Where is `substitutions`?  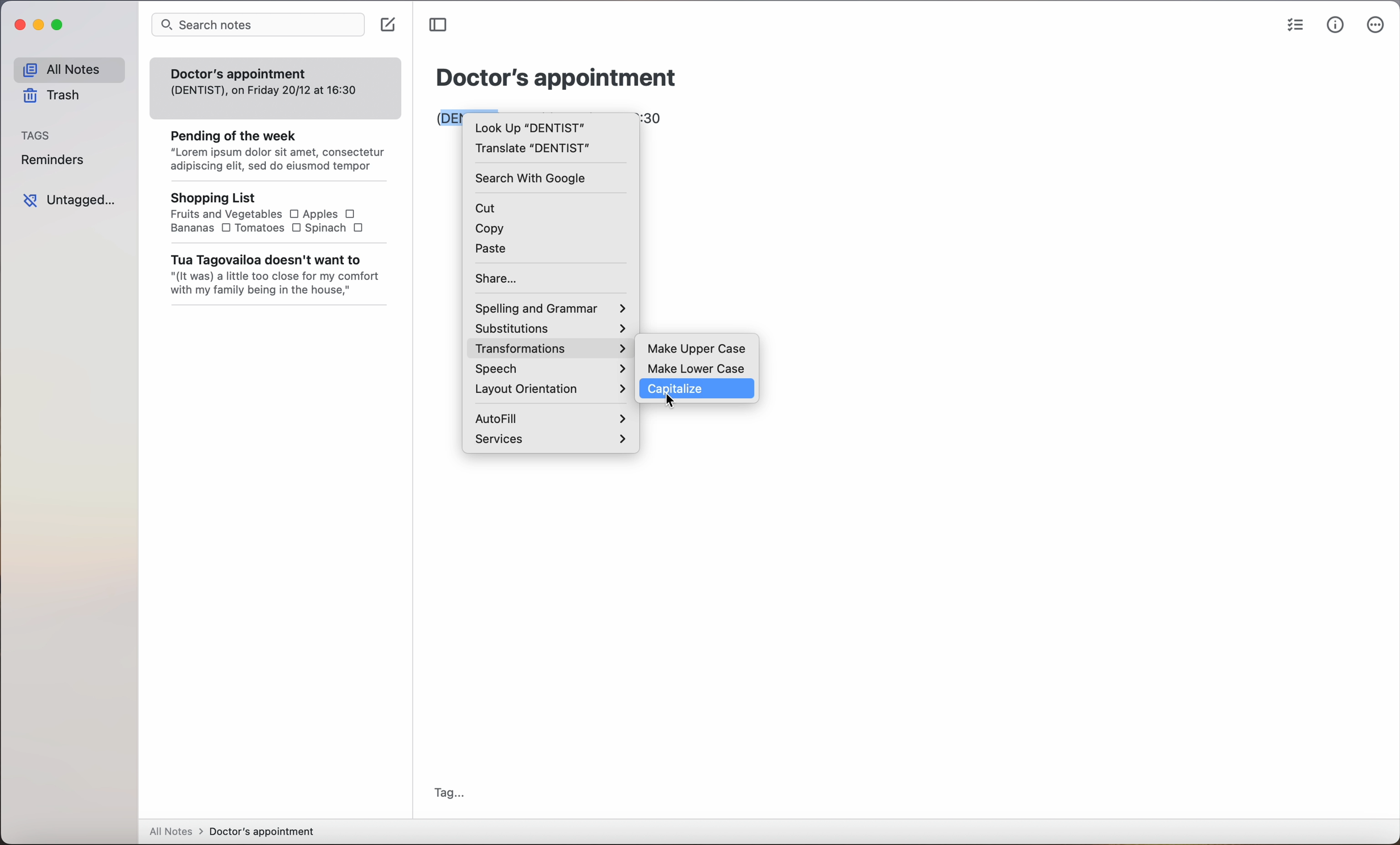
substitutions is located at coordinates (554, 329).